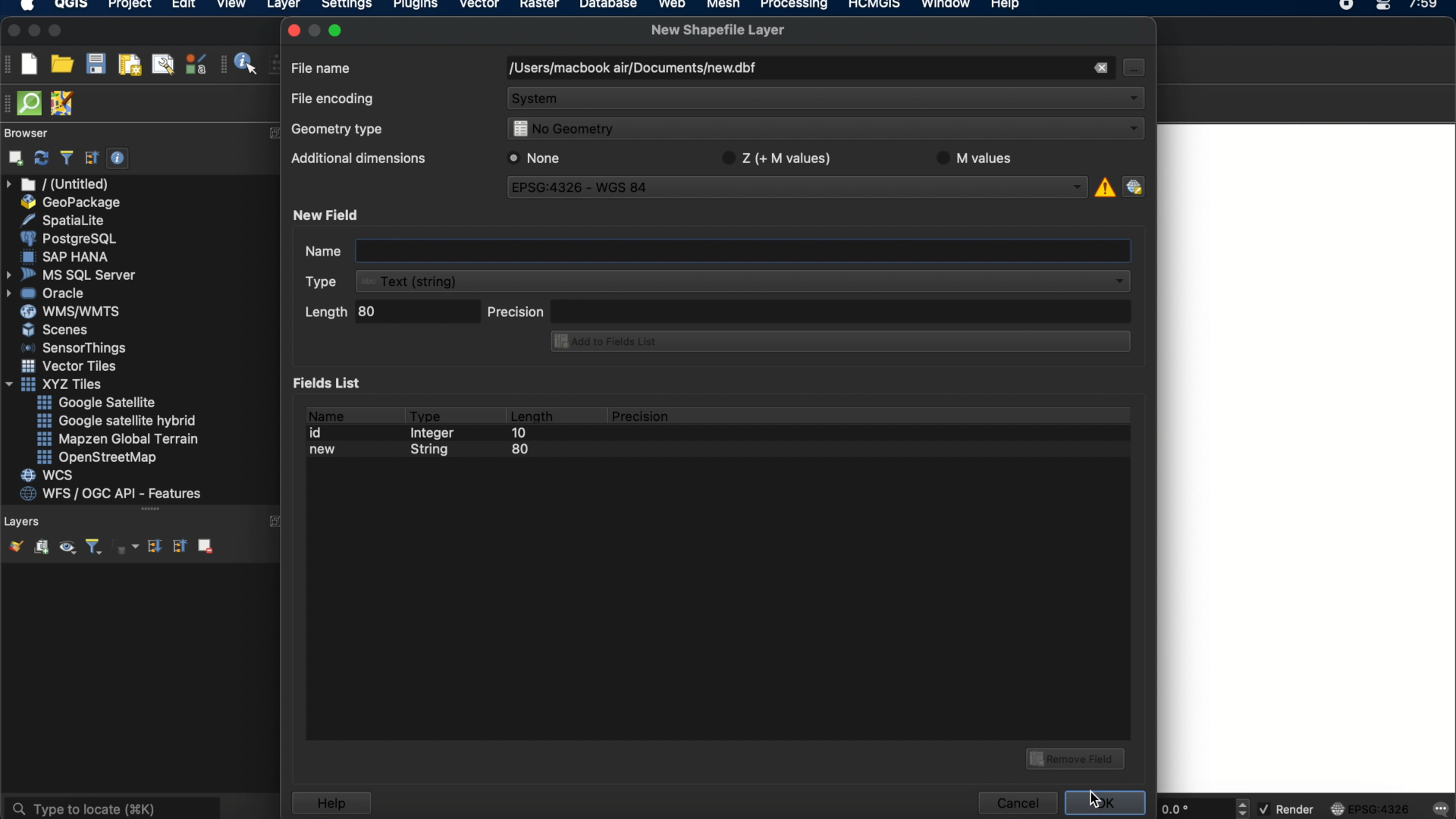 This screenshot has width=1456, height=819. I want to click on close, so click(12, 31).